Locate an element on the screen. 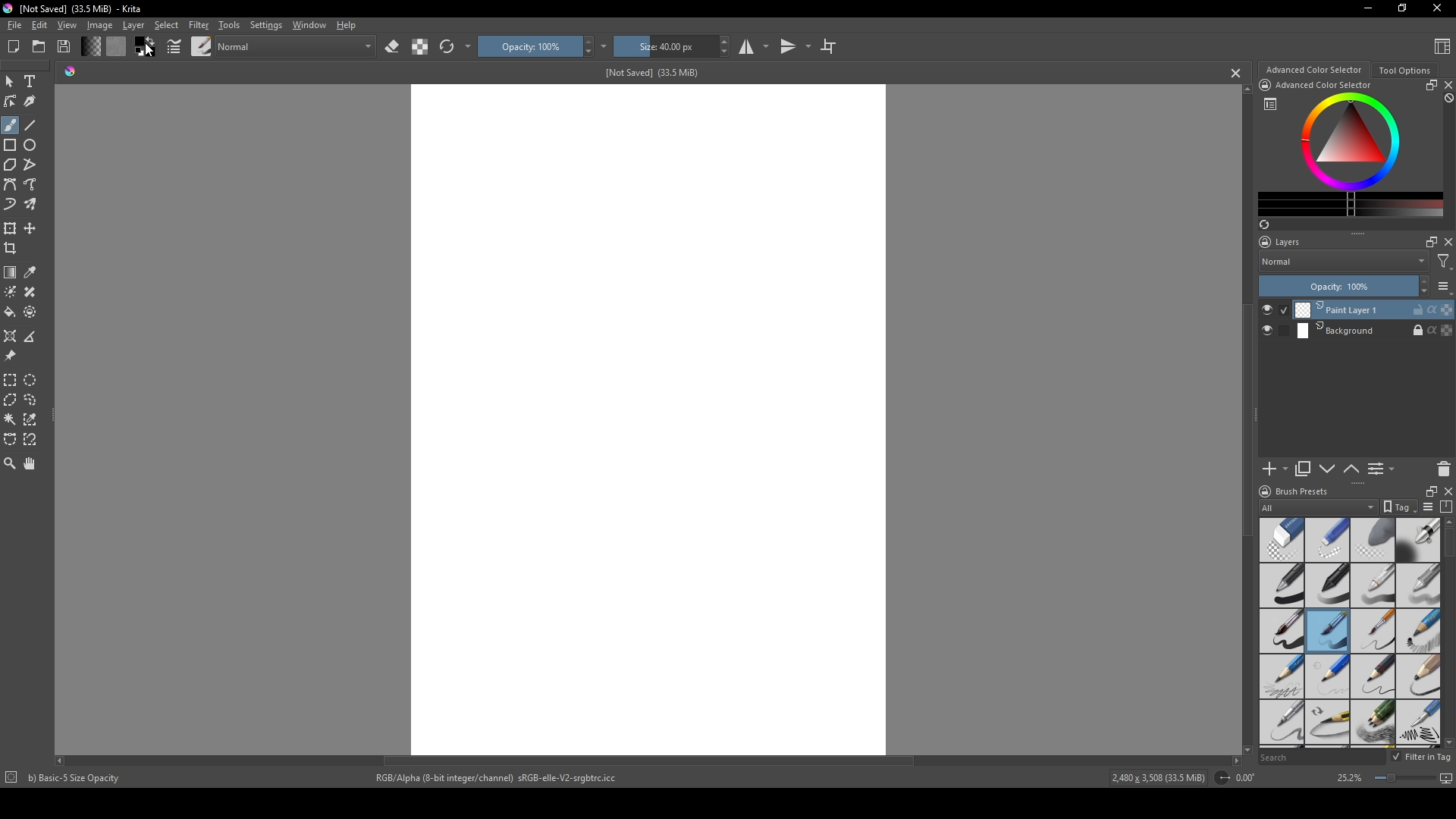 This screenshot has height=819, width=1456. Filter is located at coordinates (198, 25).